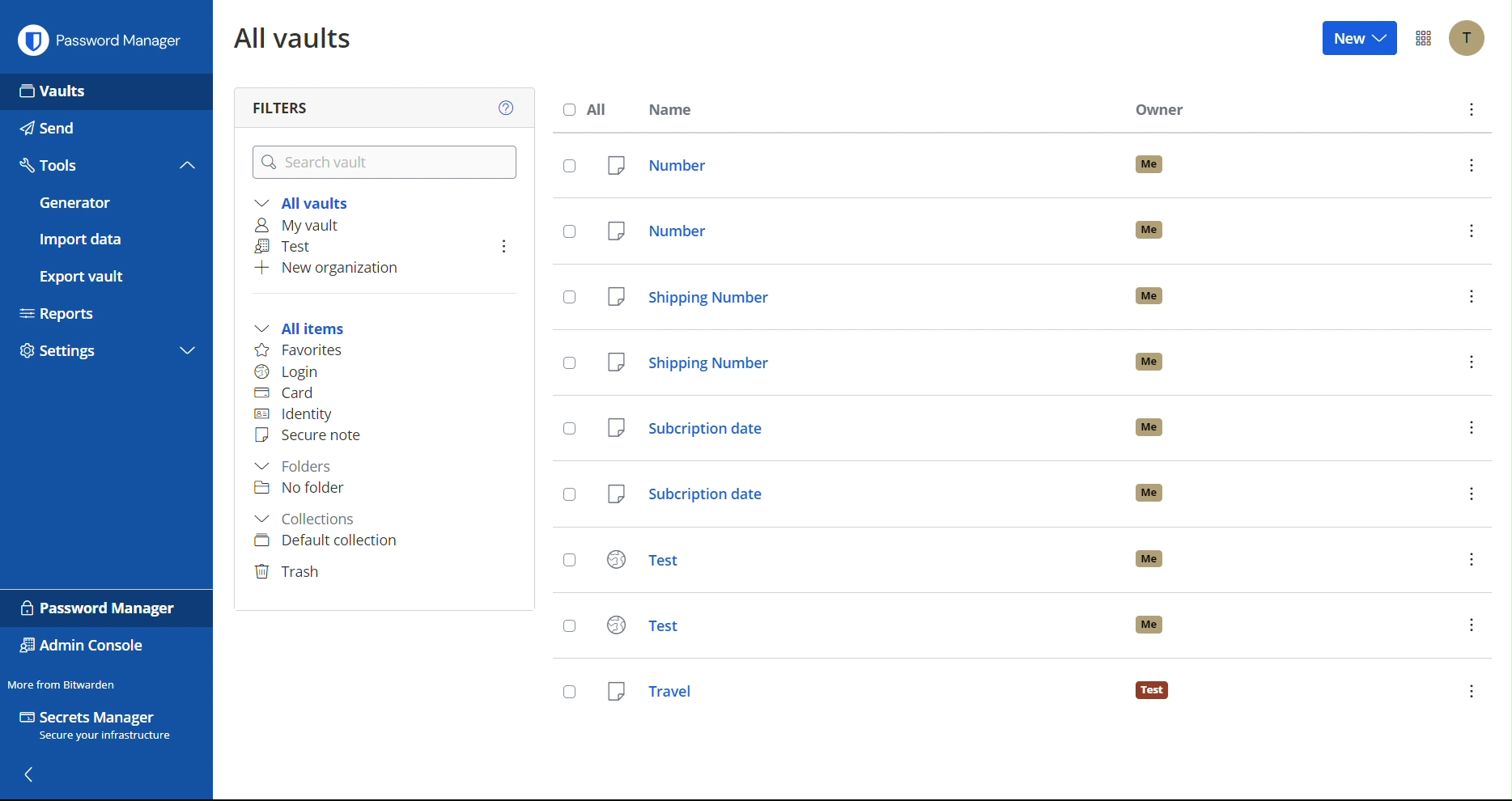 This screenshot has width=1512, height=801. I want to click on Filters, so click(279, 103).